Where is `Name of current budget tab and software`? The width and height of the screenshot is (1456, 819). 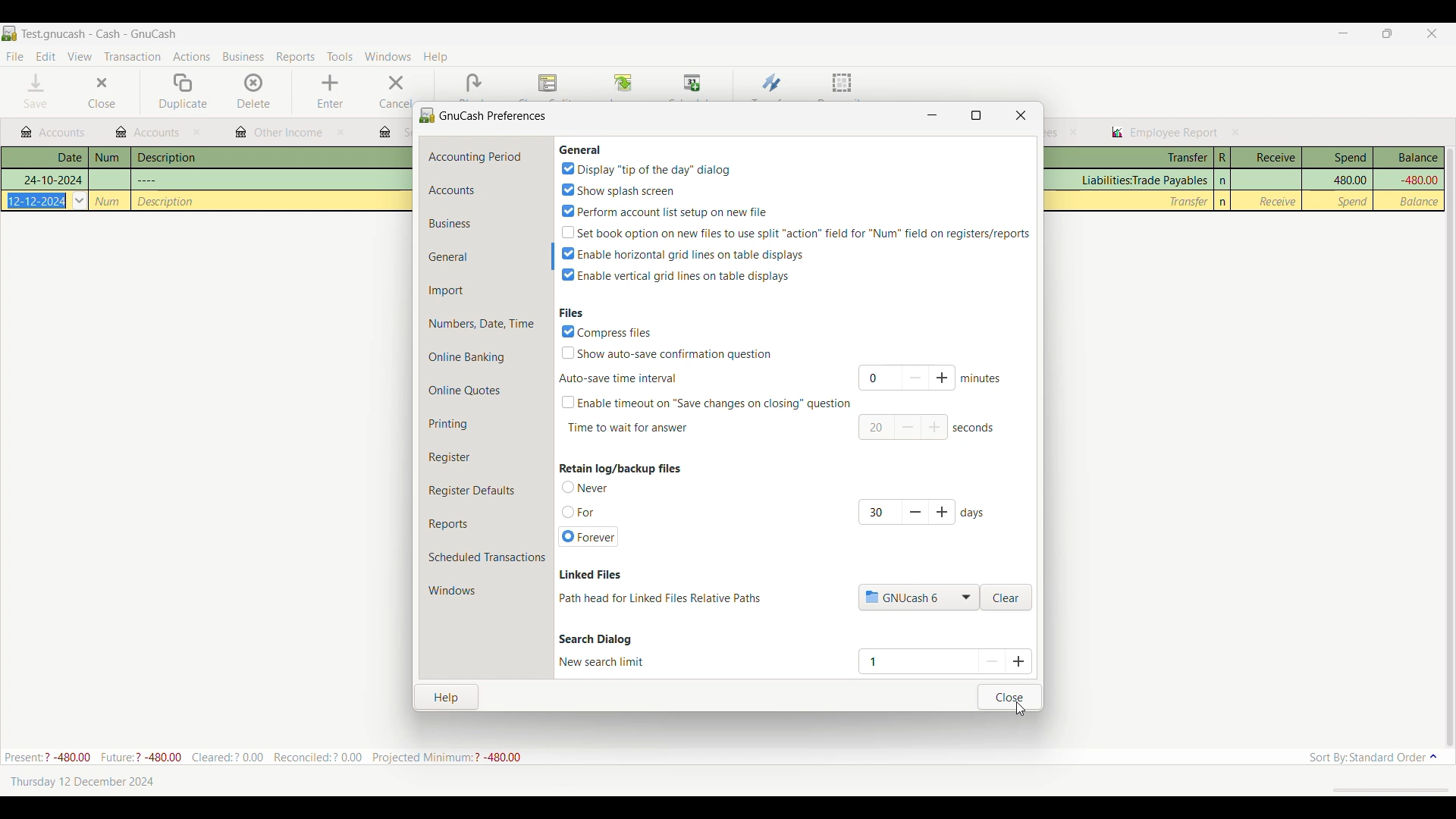
Name of current budget tab and software is located at coordinates (100, 33).